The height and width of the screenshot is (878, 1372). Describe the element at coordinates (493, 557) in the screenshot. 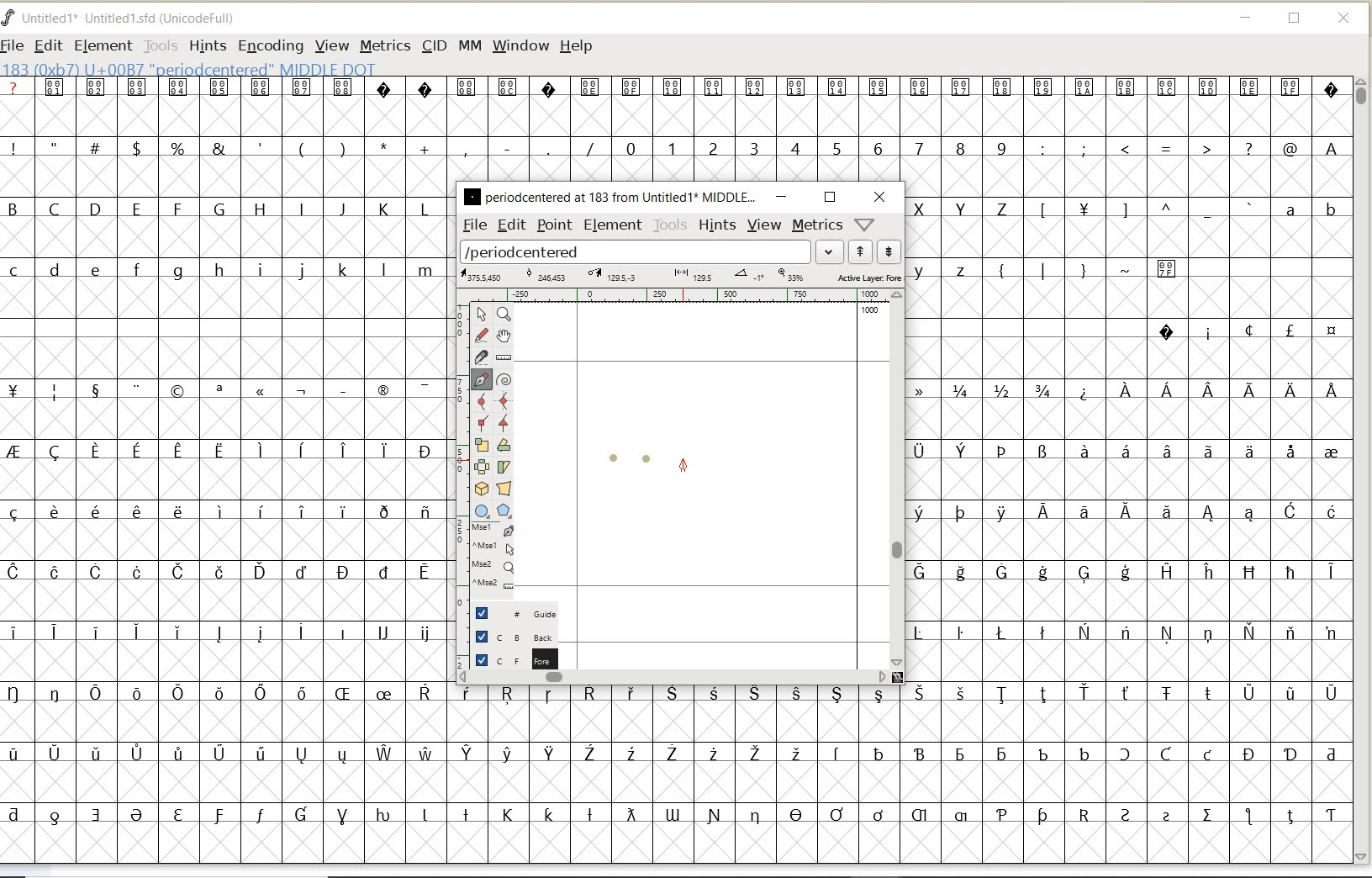

I see `cursor events on the opened outline window` at that location.